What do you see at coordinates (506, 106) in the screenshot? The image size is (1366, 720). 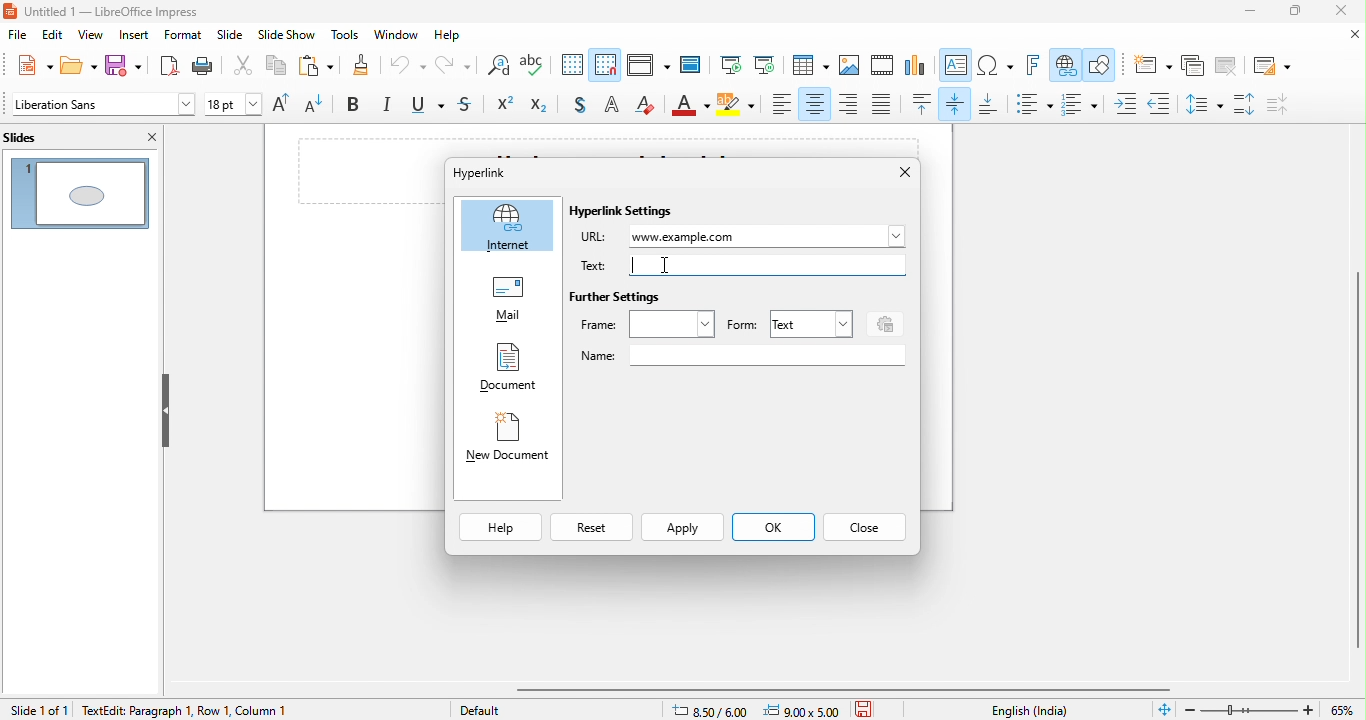 I see `superscript` at bounding box center [506, 106].